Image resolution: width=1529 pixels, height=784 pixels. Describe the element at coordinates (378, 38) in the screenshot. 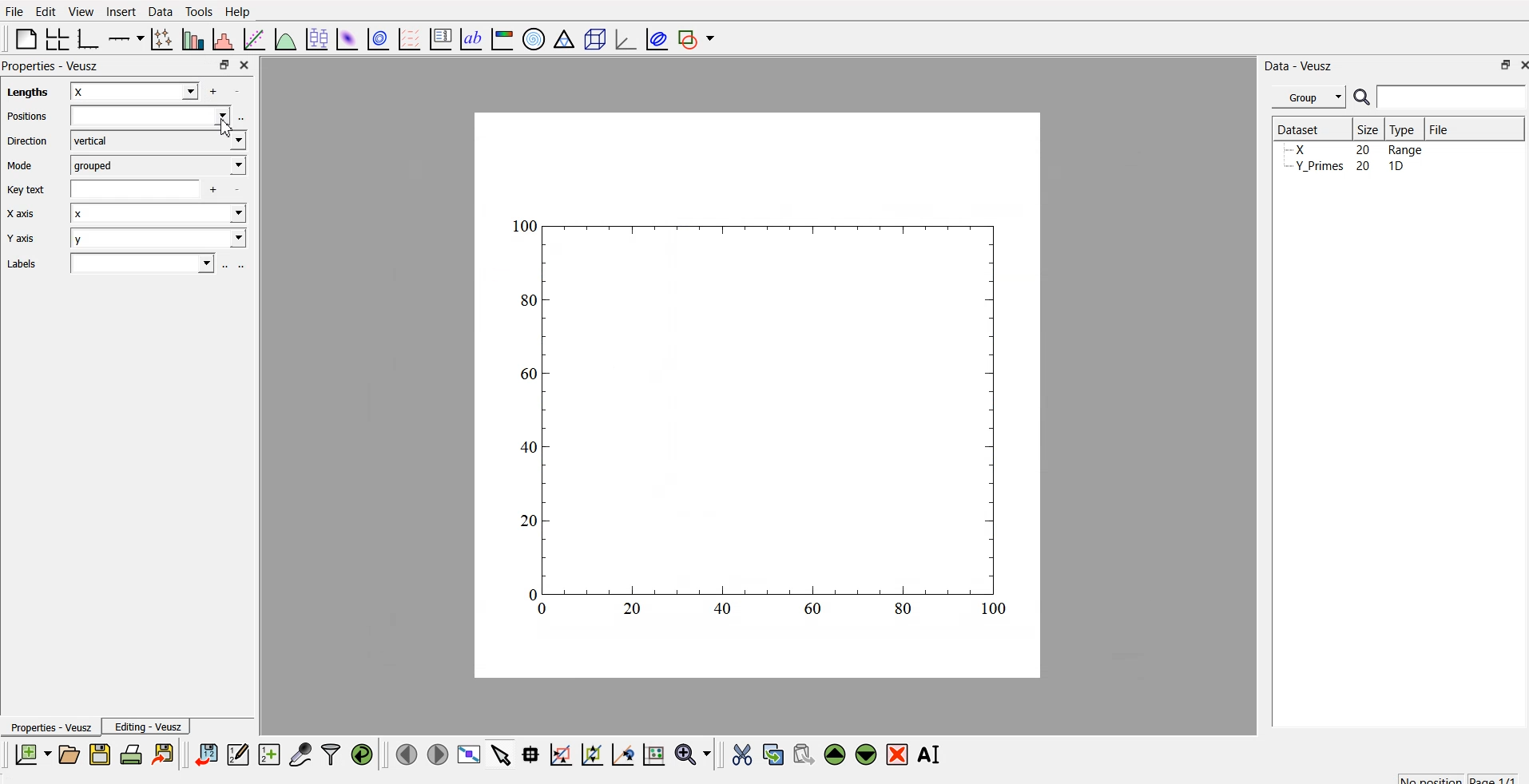

I see `plot data` at that location.